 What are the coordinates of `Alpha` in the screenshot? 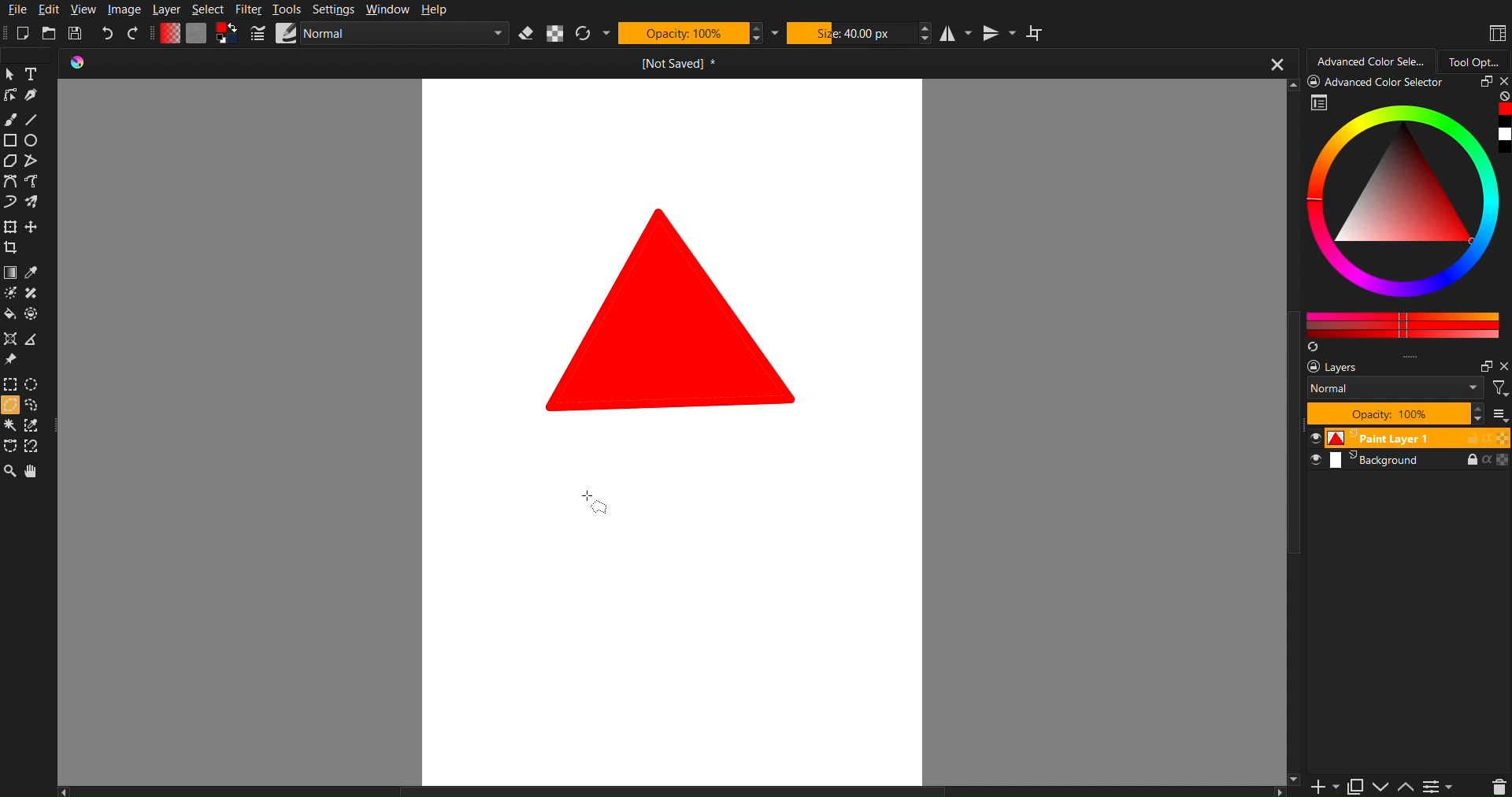 It's located at (555, 32).